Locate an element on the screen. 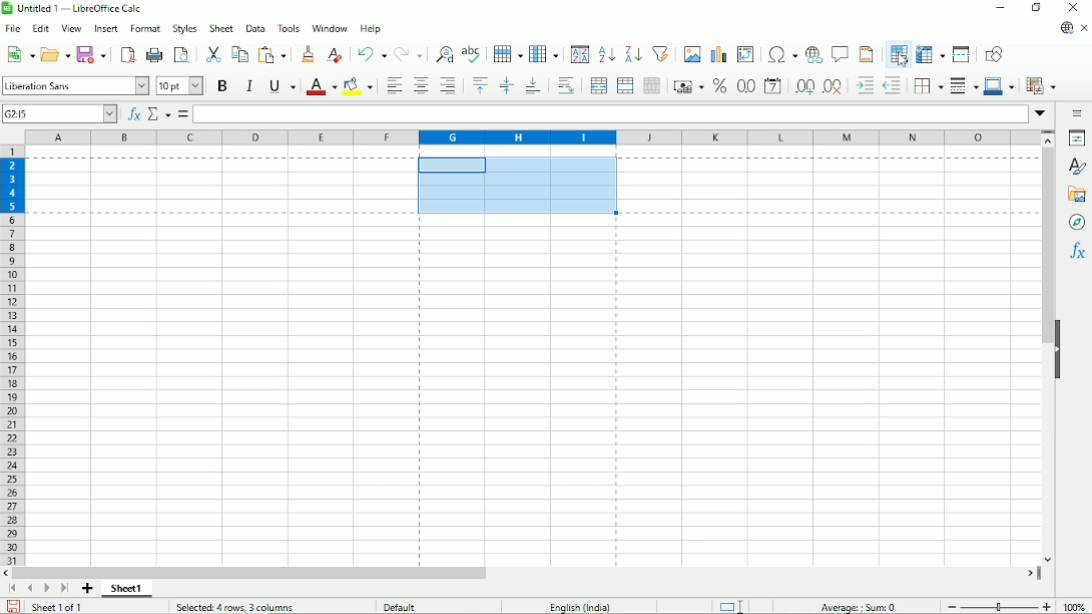 This screenshot has height=614, width=1092. Decrease indent is located at coordinates (892, 86).